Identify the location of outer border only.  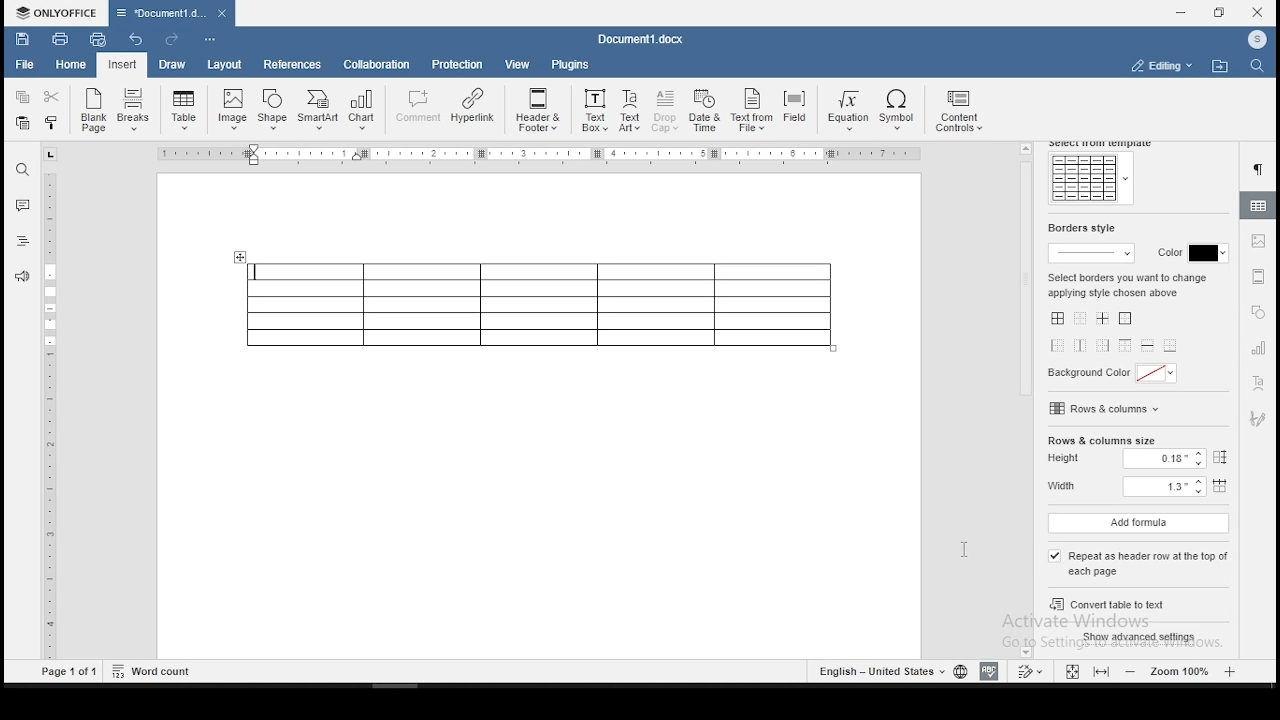
(1128, 319).